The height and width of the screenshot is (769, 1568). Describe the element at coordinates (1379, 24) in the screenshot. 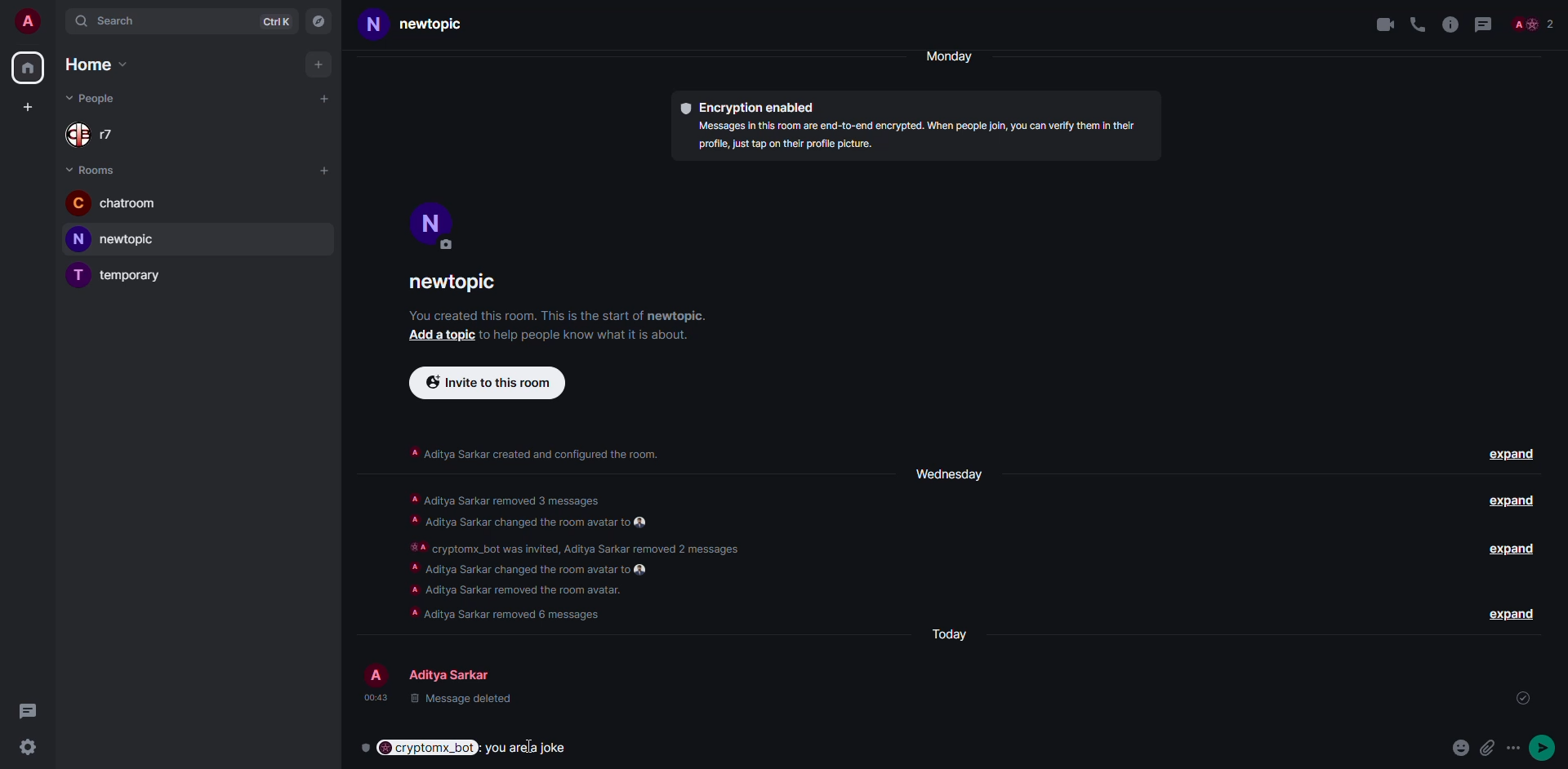

I see `video` at that location.